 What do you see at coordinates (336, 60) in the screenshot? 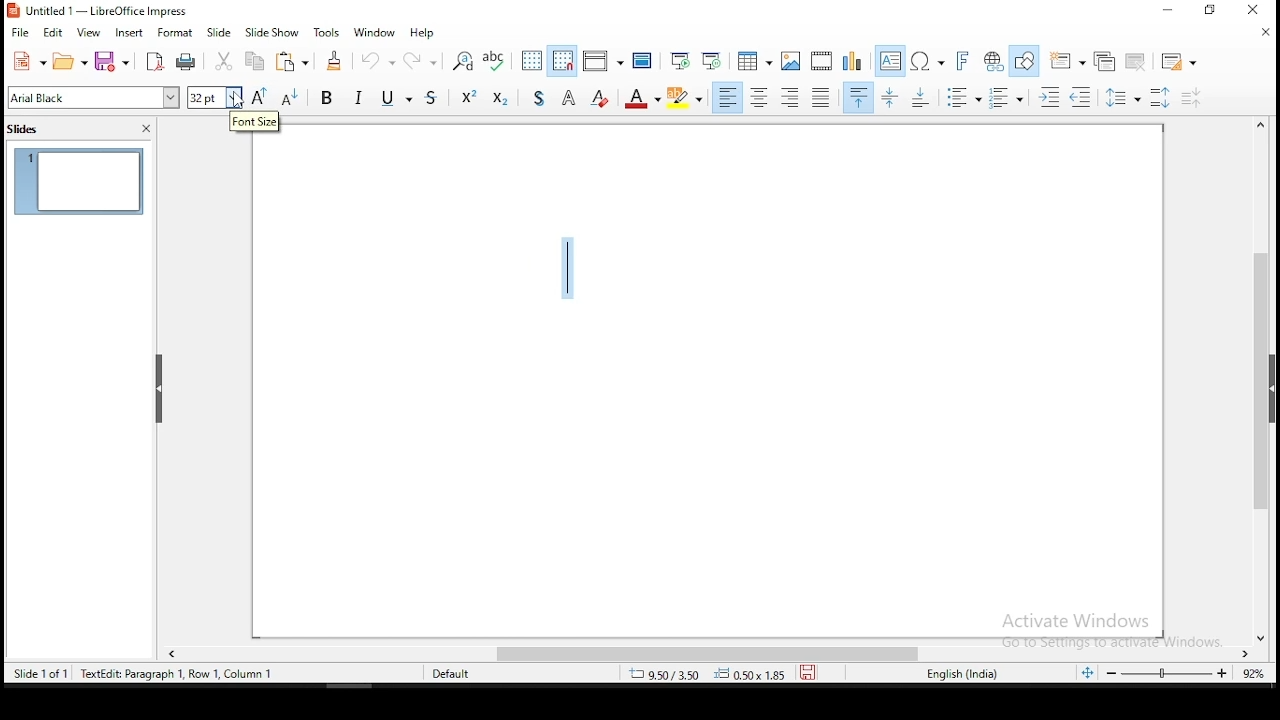
I see `clone formatting` at bounding box center [336, 60].